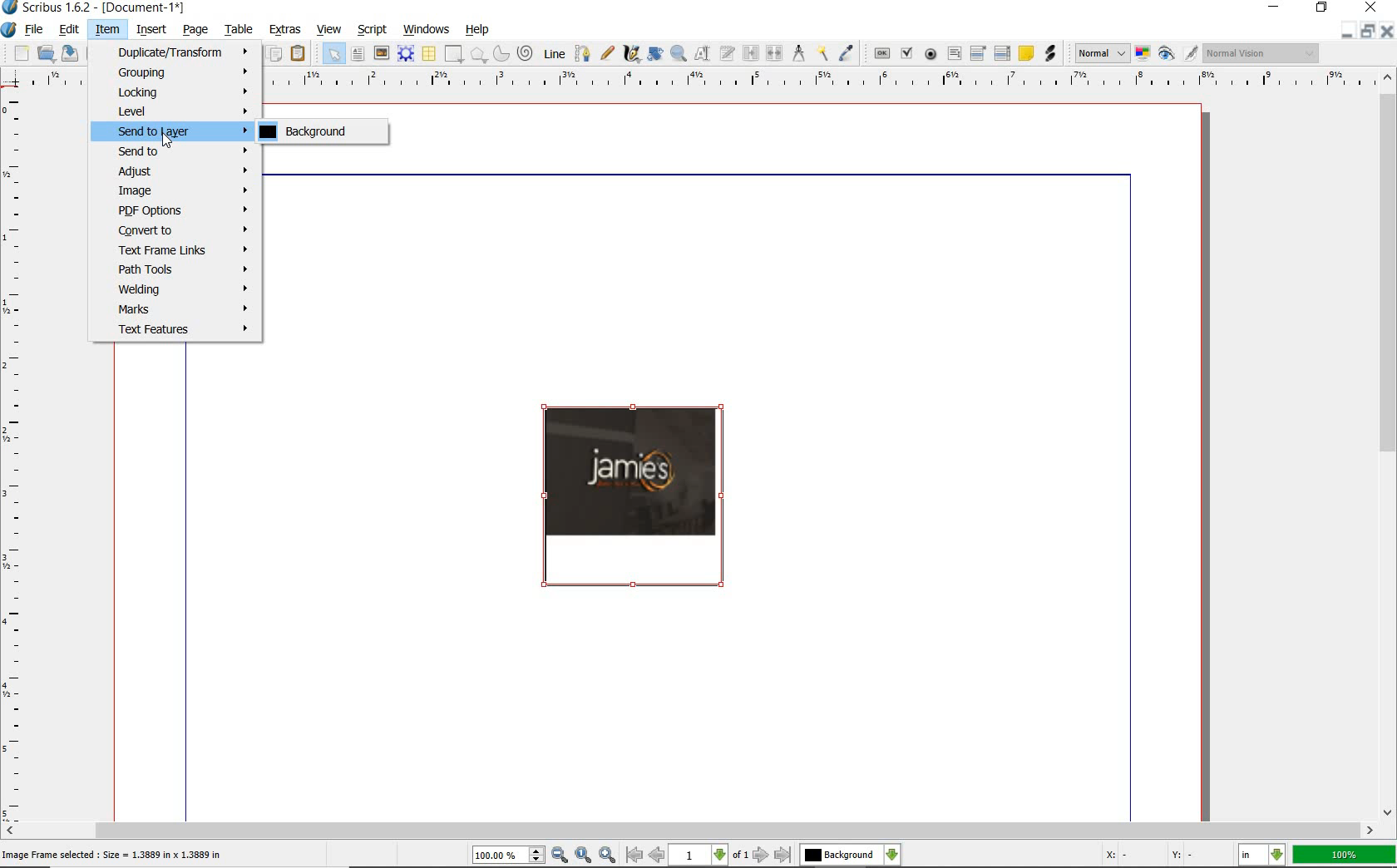 This screenshot has height=868, width=1397. Describe the element at coordinates (172, 131) in the screenshot. I see `Send to Layer` at that location.